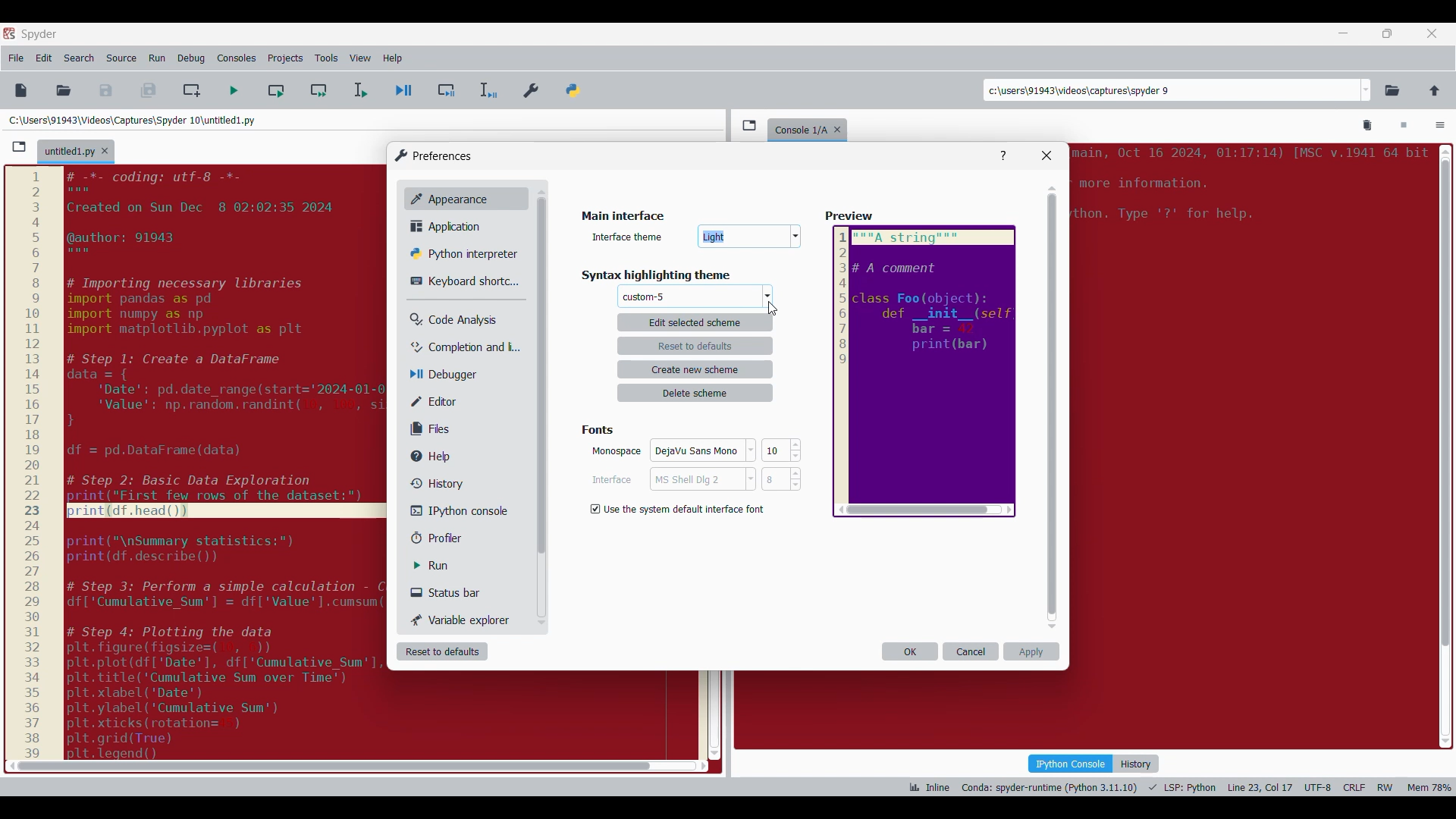 Image resolution: width=1456 pixels, height=819 pixels. Describe the element at coordinates (450, 375) in the screenshot. I see `Debugger` at that location.